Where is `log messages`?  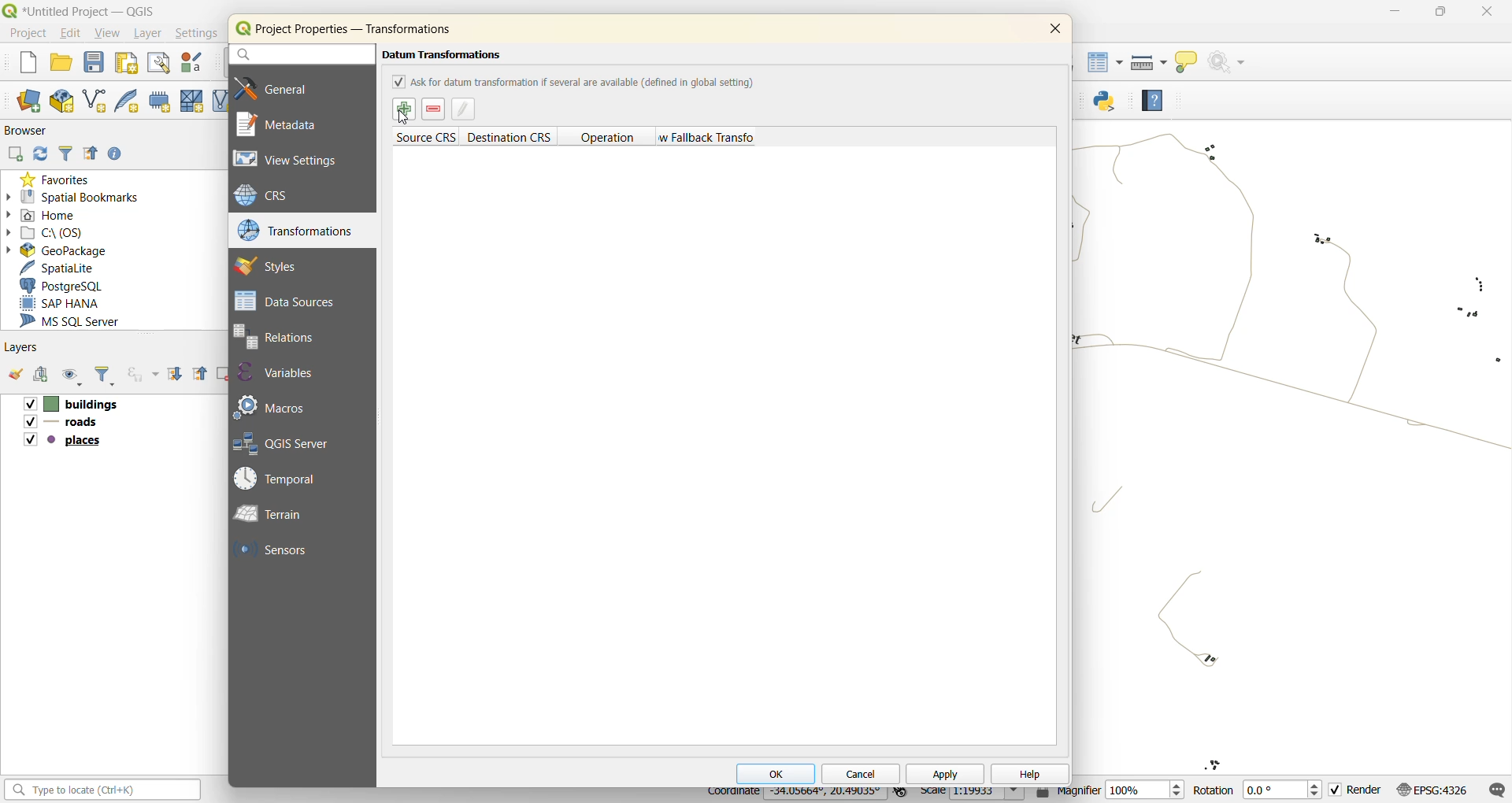 log messages is located at coordinates (1495, 789).